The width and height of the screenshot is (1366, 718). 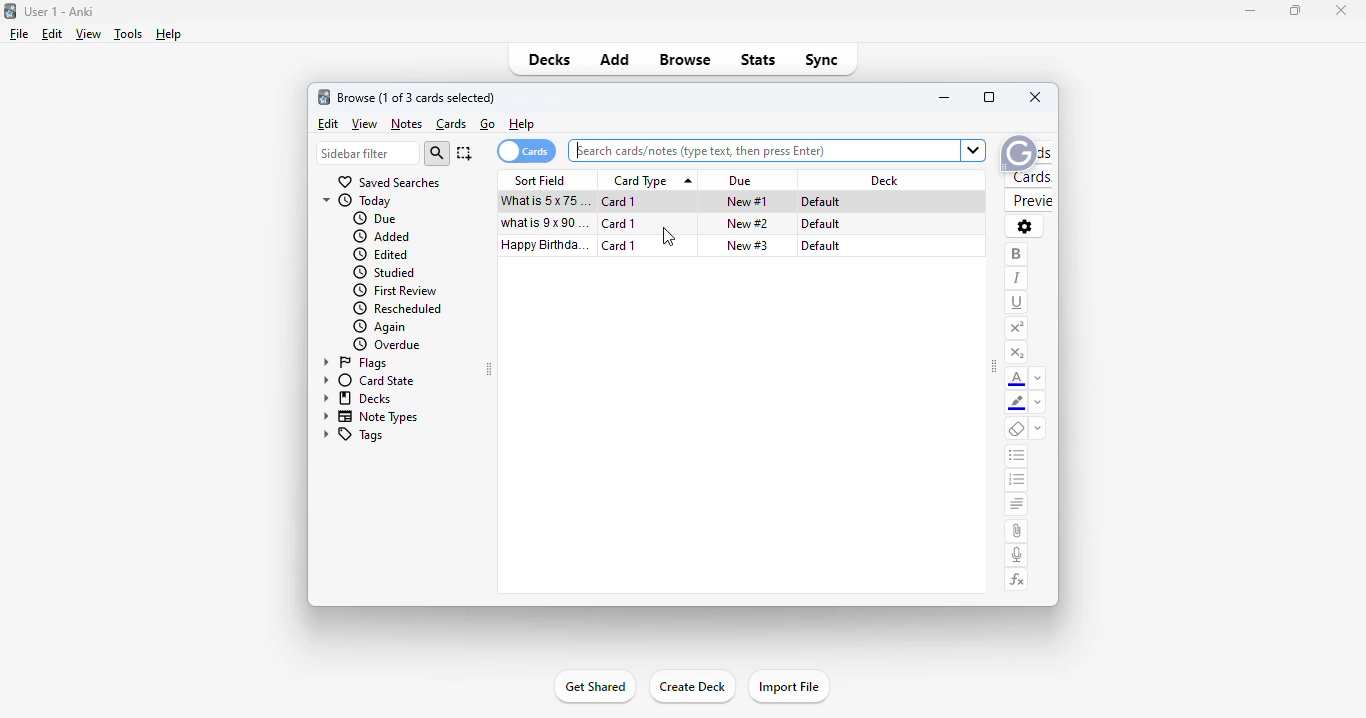 I want to click on alignment, so click(x=1016, y=504).